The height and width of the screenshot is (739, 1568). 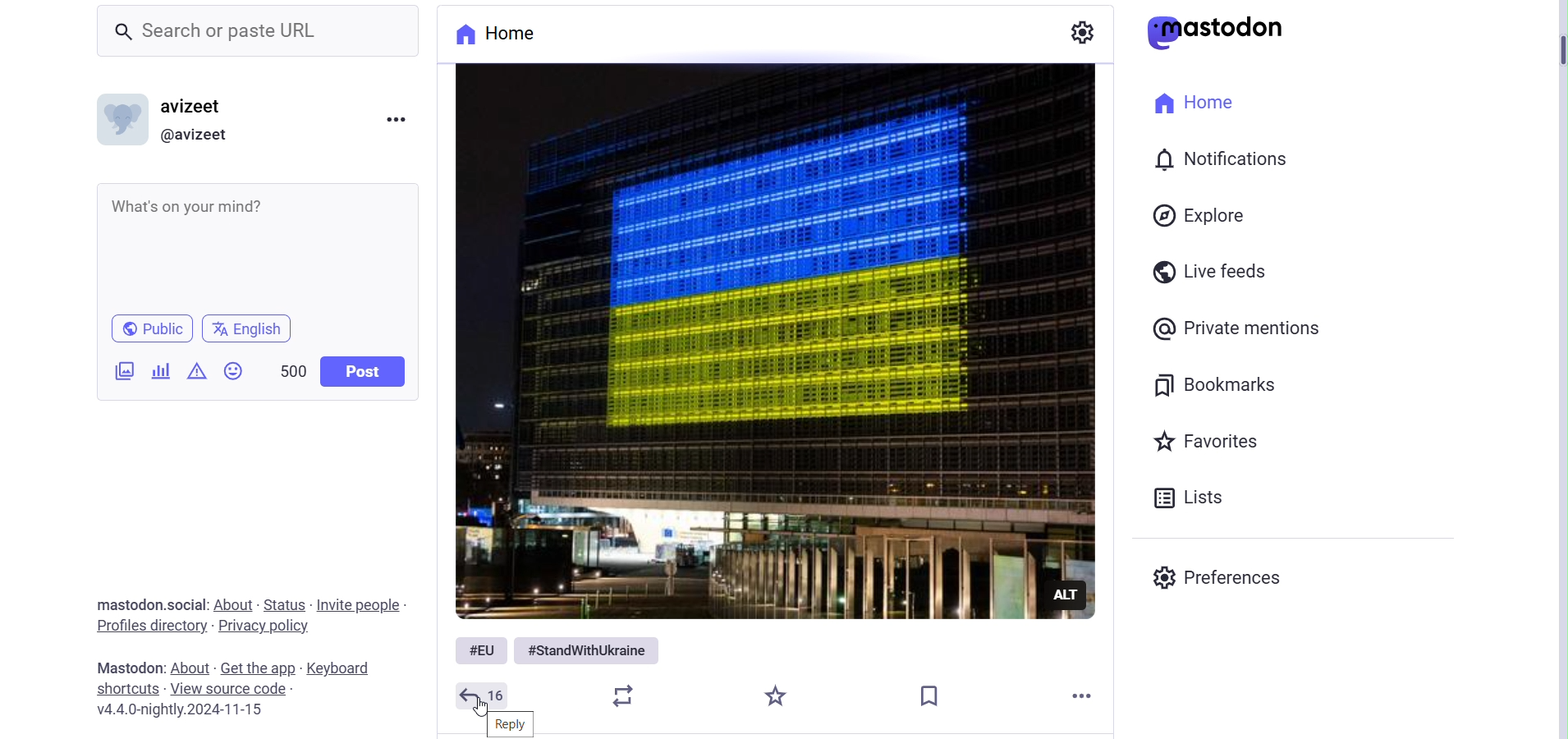 I want to click on Boost, so click(x=629, y=695).